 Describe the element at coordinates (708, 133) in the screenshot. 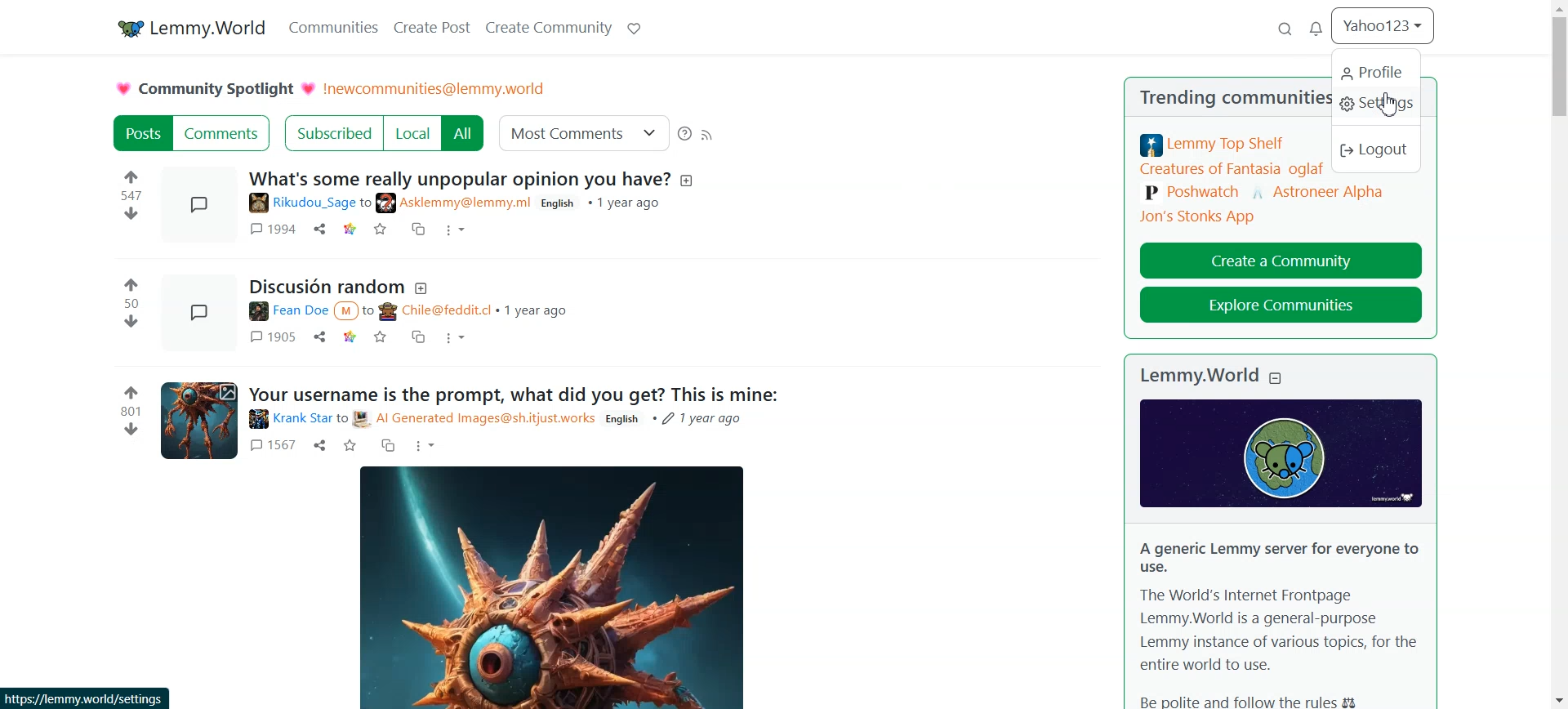

I see `RSS` at that location.